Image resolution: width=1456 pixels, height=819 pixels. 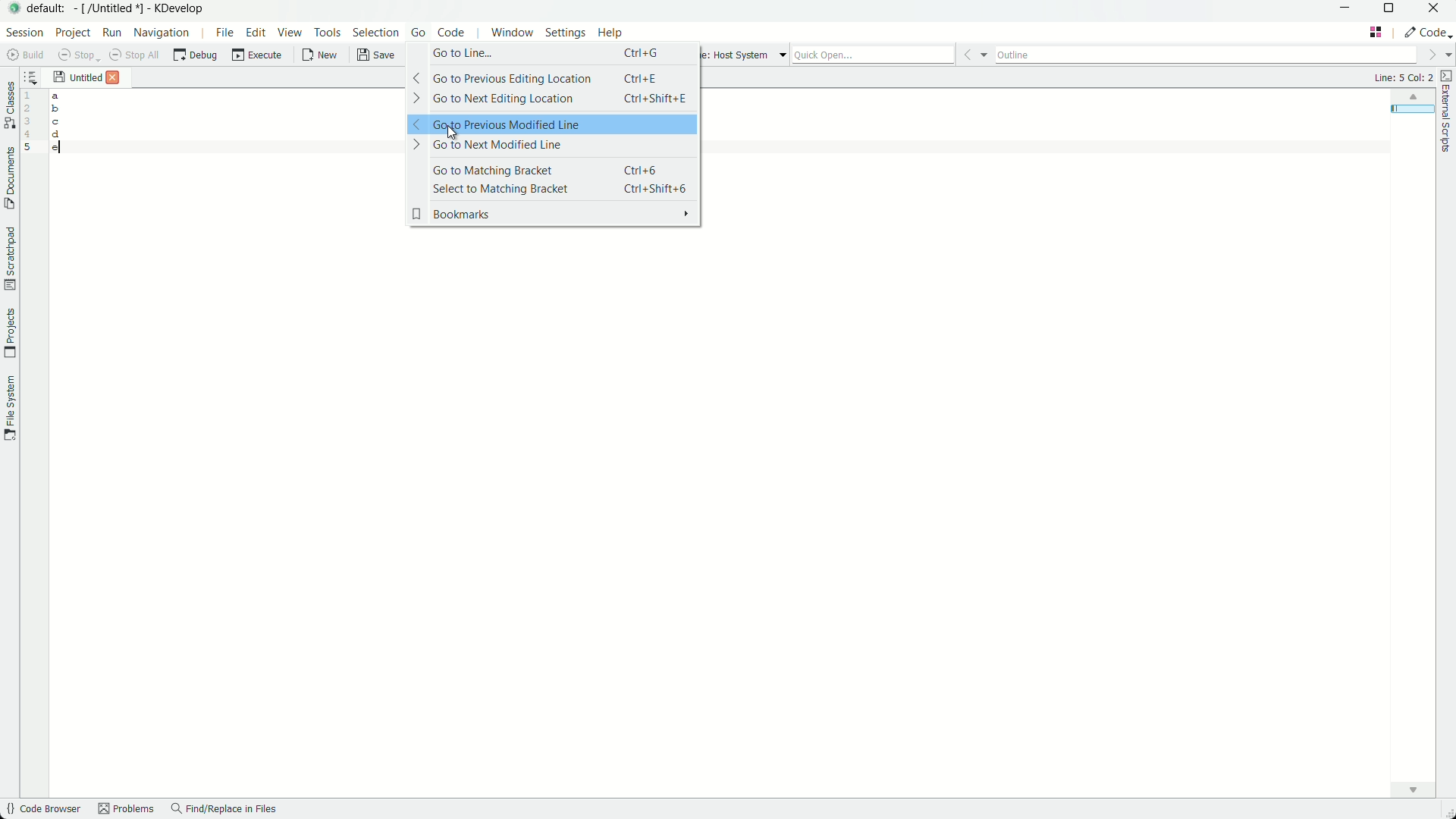 What do you see at coordinates (552, 124) in the screenshot?
I see `go to previous modified line` at bounding box center [552, 124].